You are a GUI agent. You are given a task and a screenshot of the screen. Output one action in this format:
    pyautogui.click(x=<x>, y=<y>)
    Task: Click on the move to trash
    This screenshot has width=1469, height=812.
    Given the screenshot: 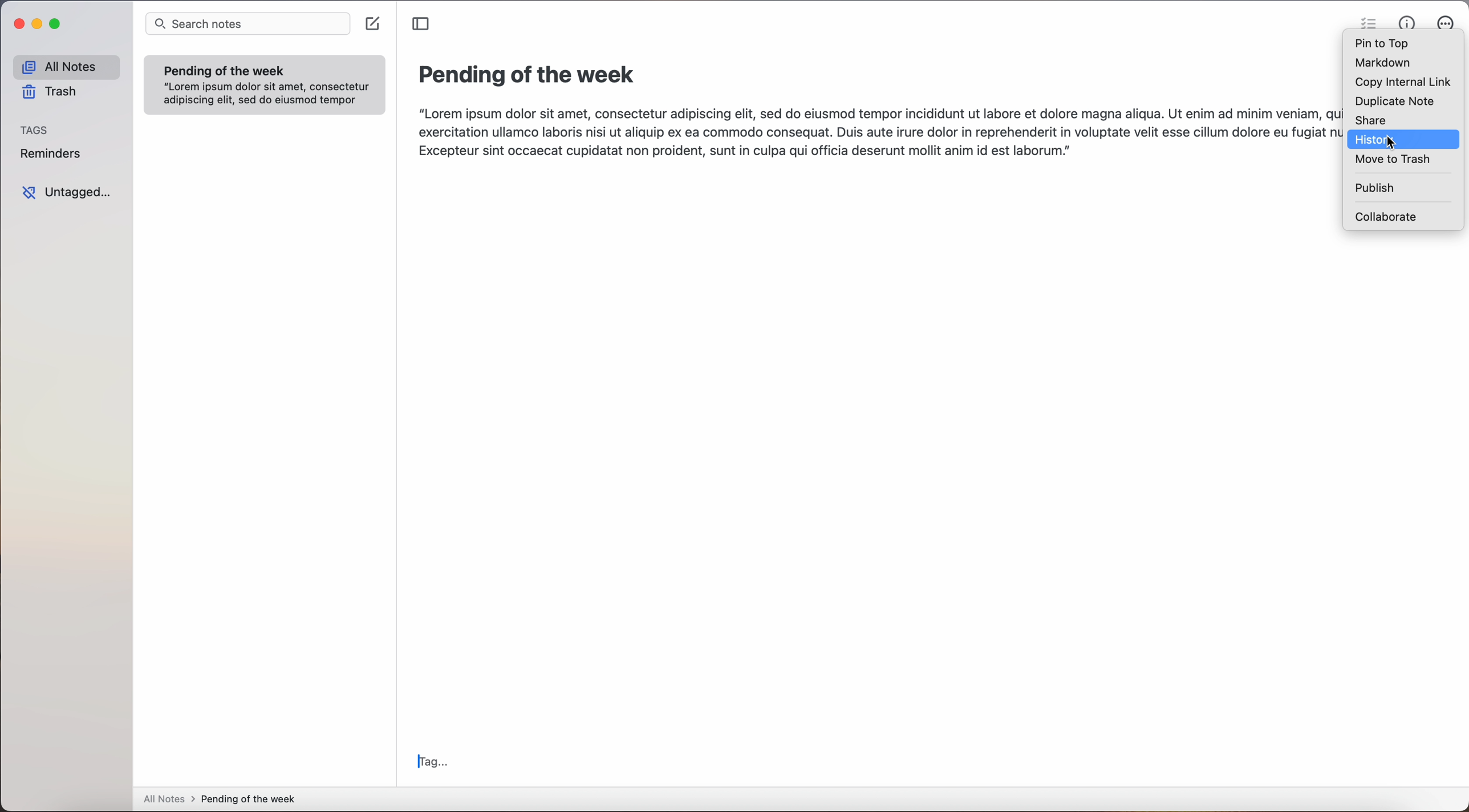 What is the action you would take?
    pyautogui.click(x=1391, y=161)
    